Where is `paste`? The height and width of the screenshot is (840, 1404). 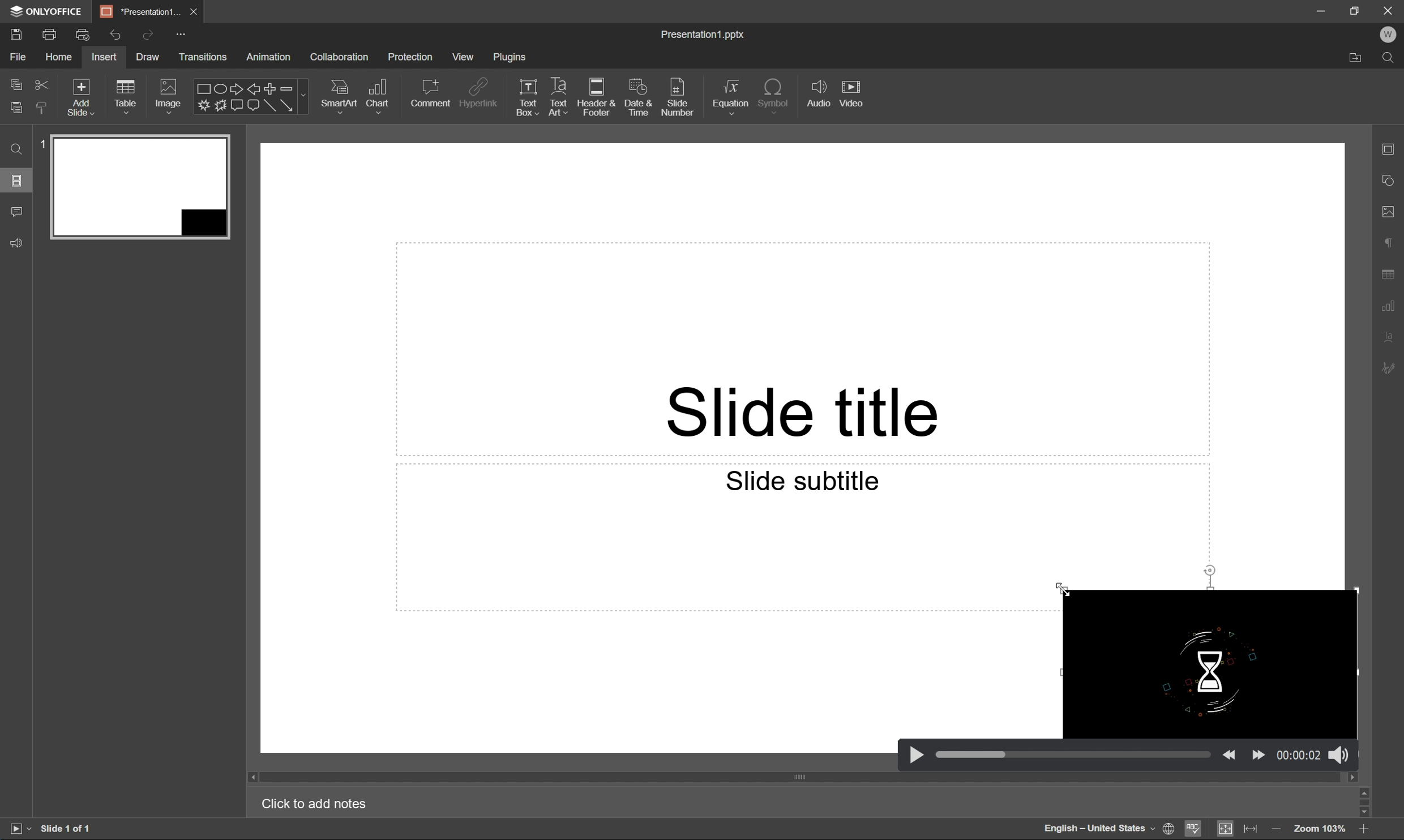
paste is located at coordinates (16, 108).